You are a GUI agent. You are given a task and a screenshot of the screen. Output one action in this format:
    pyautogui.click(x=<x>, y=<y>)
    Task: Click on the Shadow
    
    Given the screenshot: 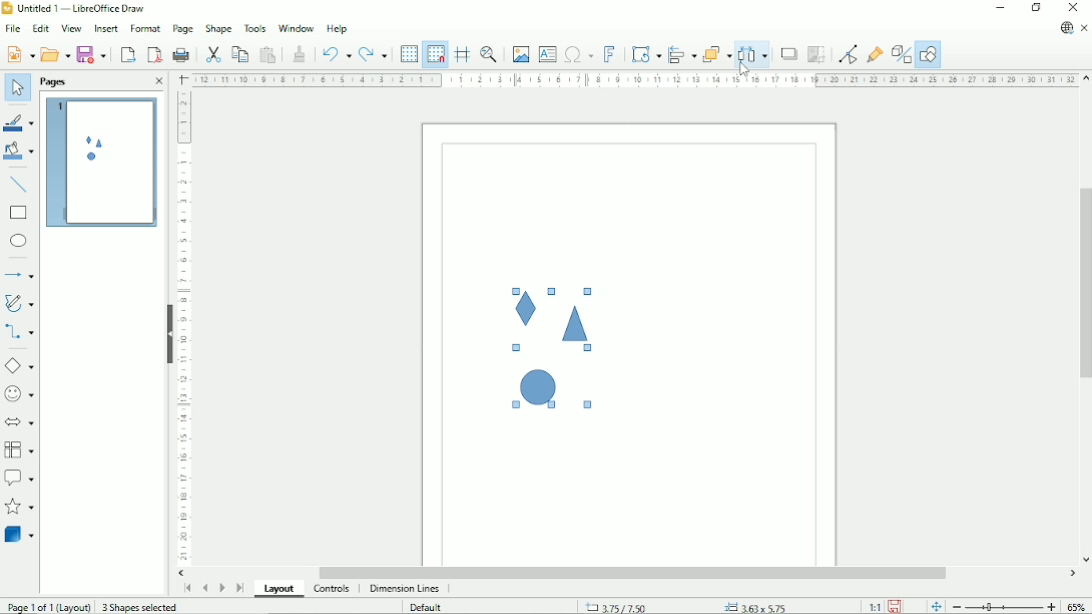 What is the action you would take?
    pyautogui.click(x=789, y=54)
    